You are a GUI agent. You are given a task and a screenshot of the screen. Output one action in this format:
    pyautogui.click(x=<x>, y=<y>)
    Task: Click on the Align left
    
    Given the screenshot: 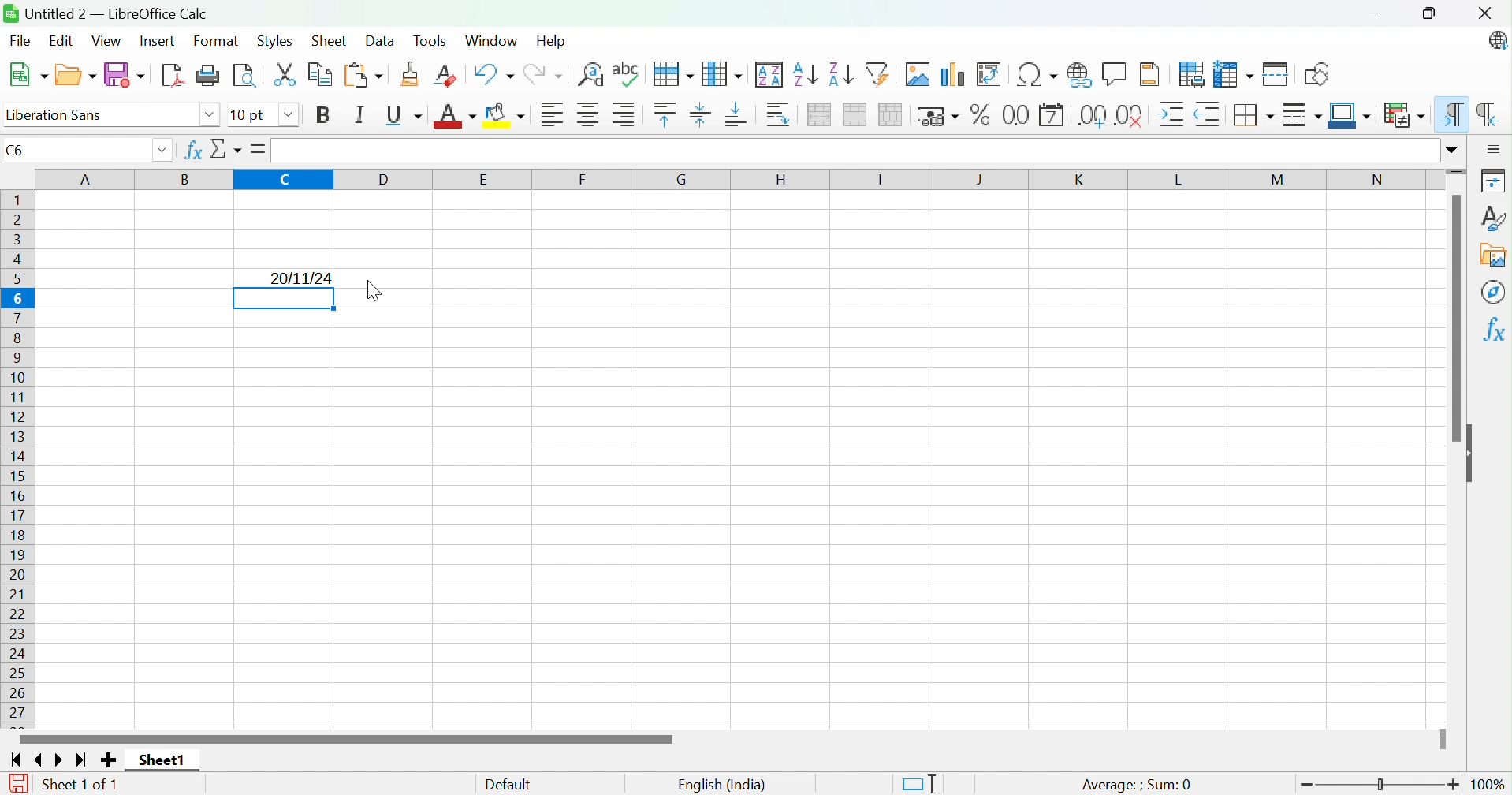 What is the action you would take?
    pyautogui.click(x=555, y=114)
    